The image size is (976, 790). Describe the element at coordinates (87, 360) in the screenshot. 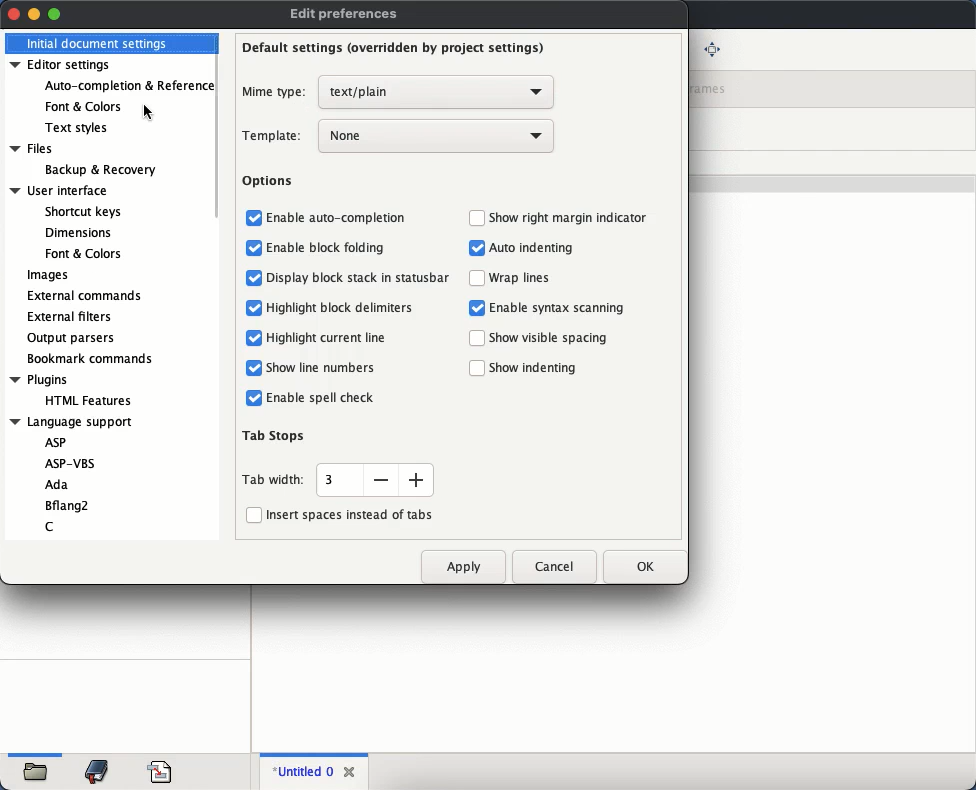

I see `bookmark command` at that location.